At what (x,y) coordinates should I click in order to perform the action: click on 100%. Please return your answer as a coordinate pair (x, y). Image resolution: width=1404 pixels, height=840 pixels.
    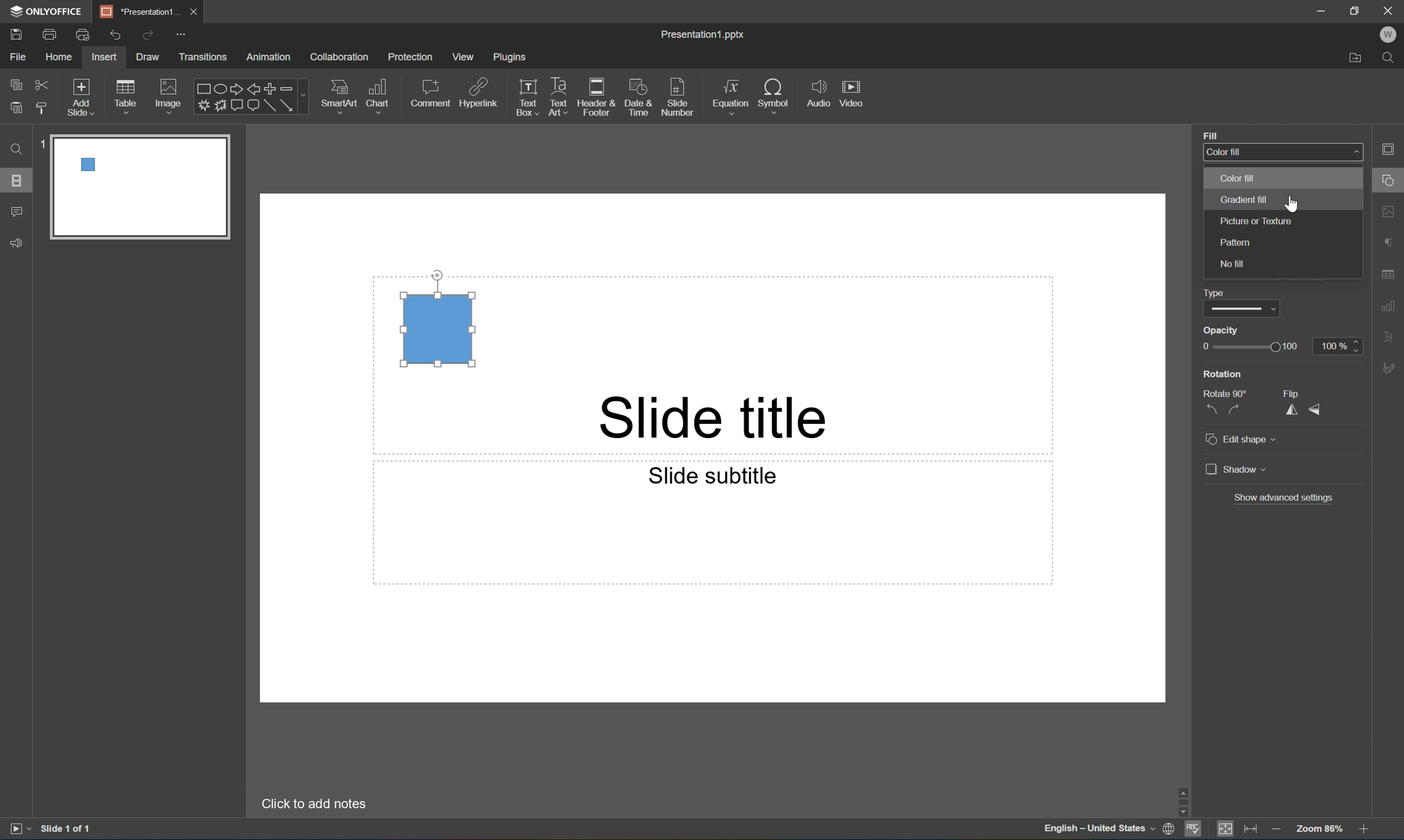
    Looking at the image, I should click on (1338, 346).